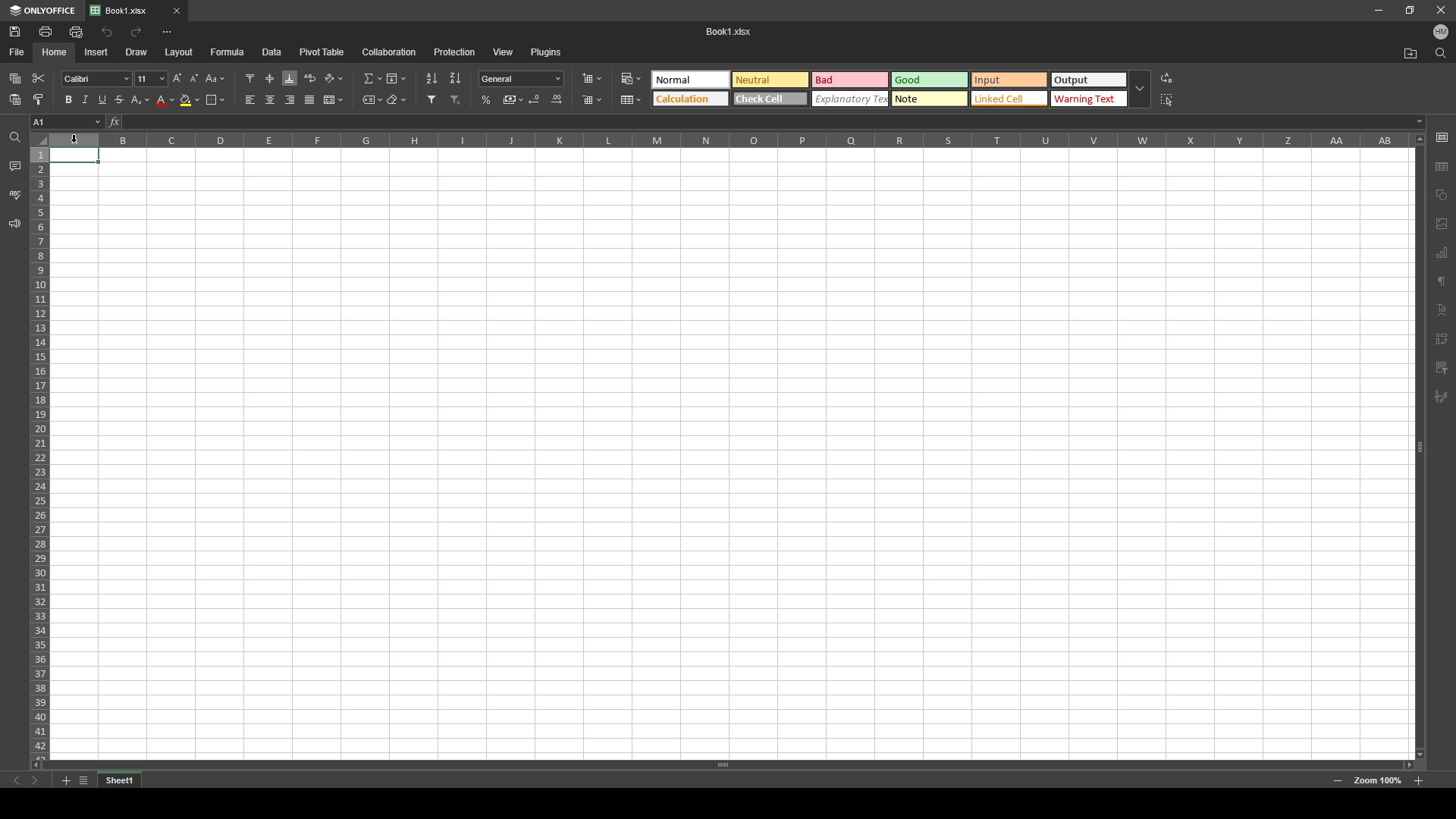 The width and height of the screenshot is (1456, 819). What do you see at coordinates (1169, 99) in the screenshot?
I see `select all` at bounding box center [1169, 99].